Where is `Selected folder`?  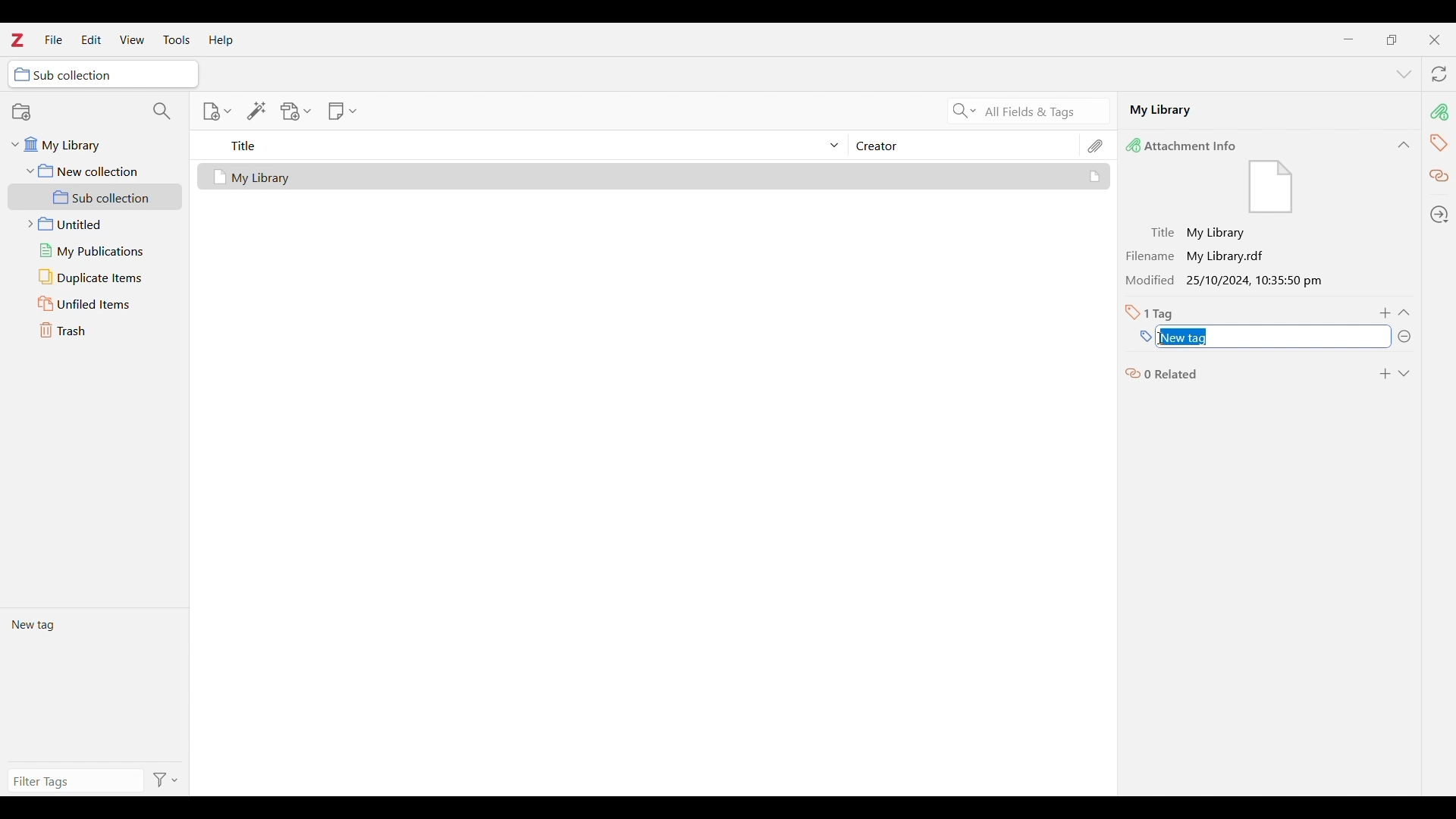 Selected folder is located at coordinates (103, 74).